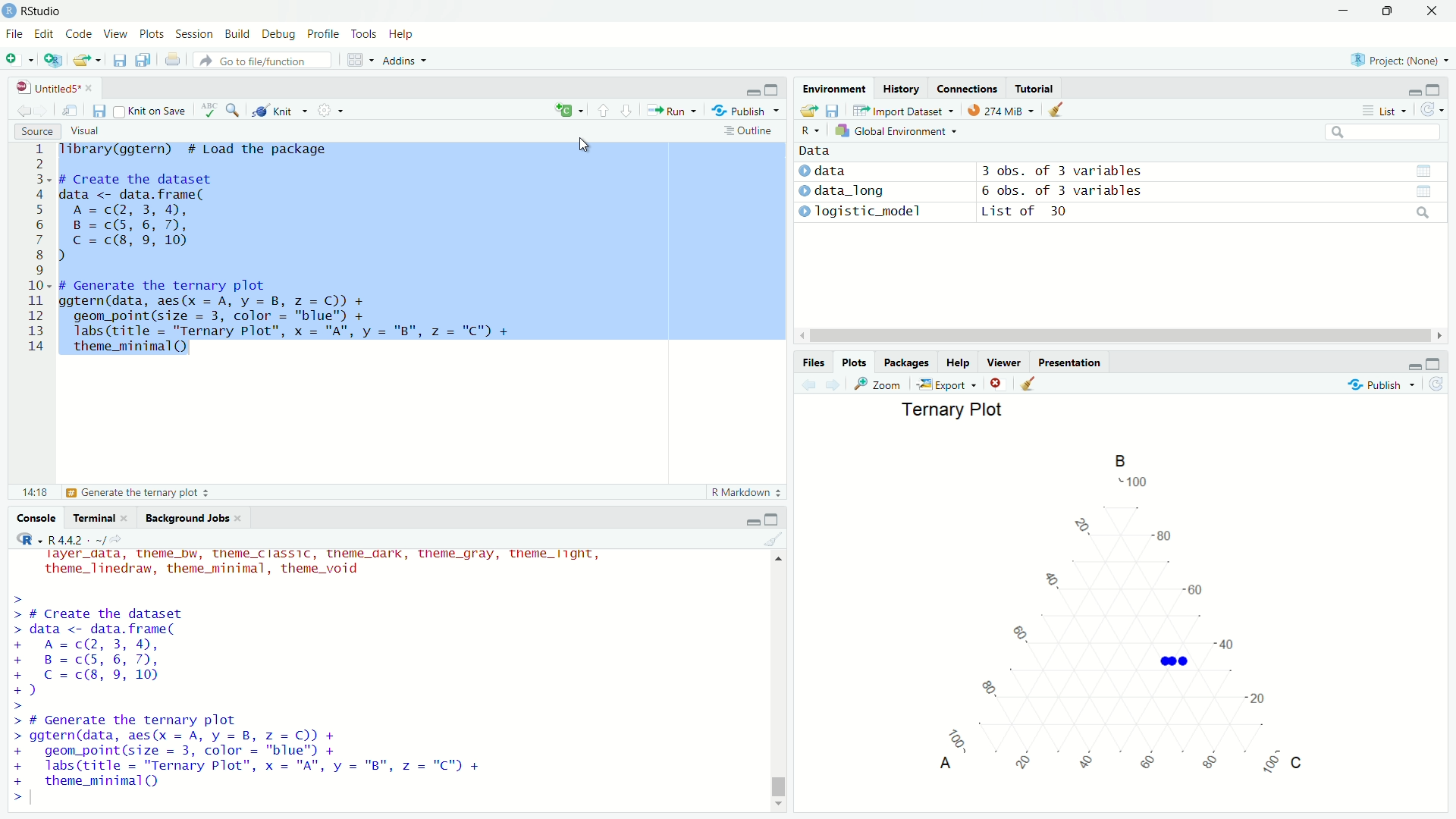 This screenshot has height=819, width=1456. I want to click on clear, so click(1065, 112).